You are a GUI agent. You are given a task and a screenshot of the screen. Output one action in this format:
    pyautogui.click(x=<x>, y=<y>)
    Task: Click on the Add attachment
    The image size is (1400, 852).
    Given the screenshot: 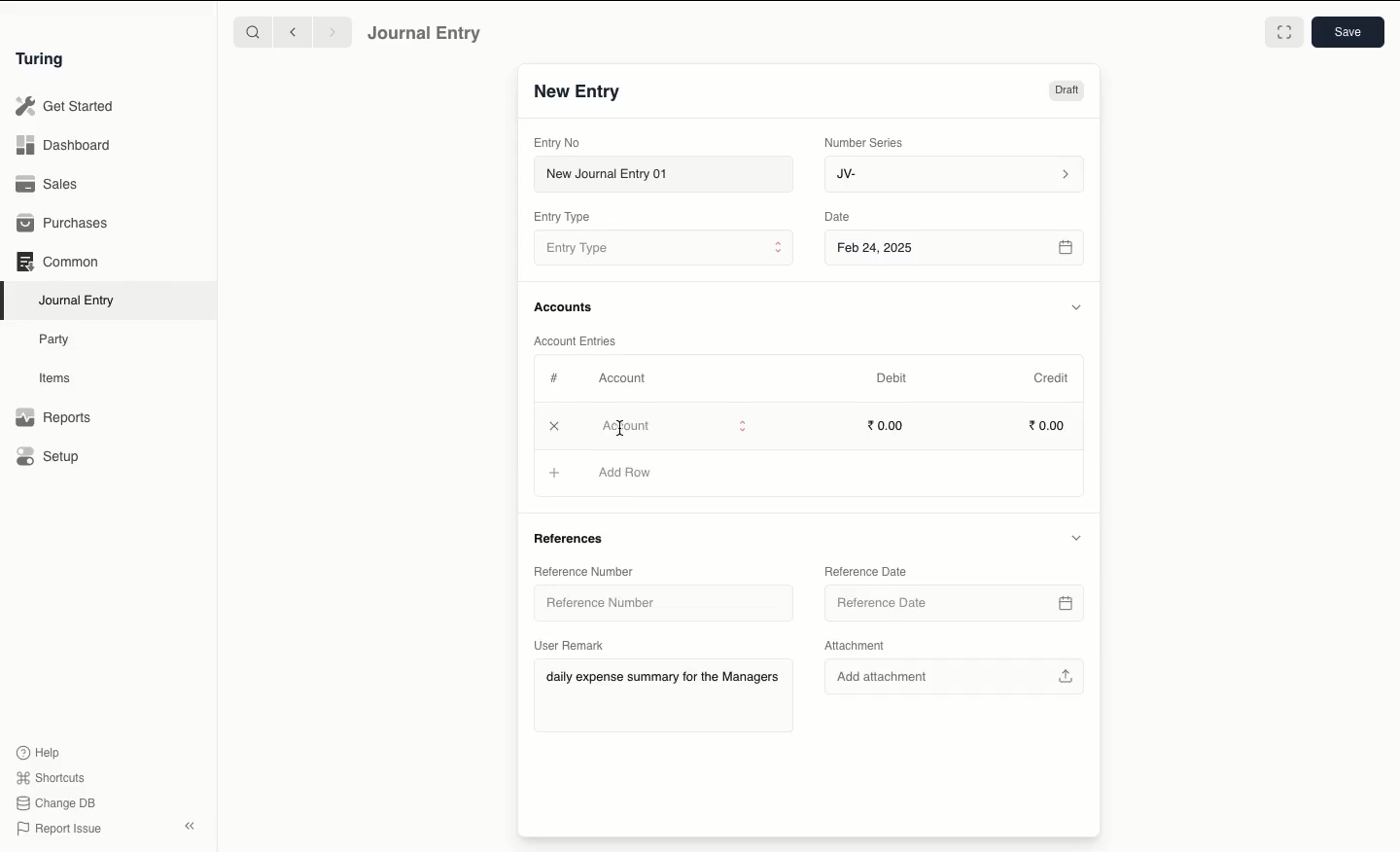 What is the action you would take?
    pyautogui.click(x=956, y=679)
    